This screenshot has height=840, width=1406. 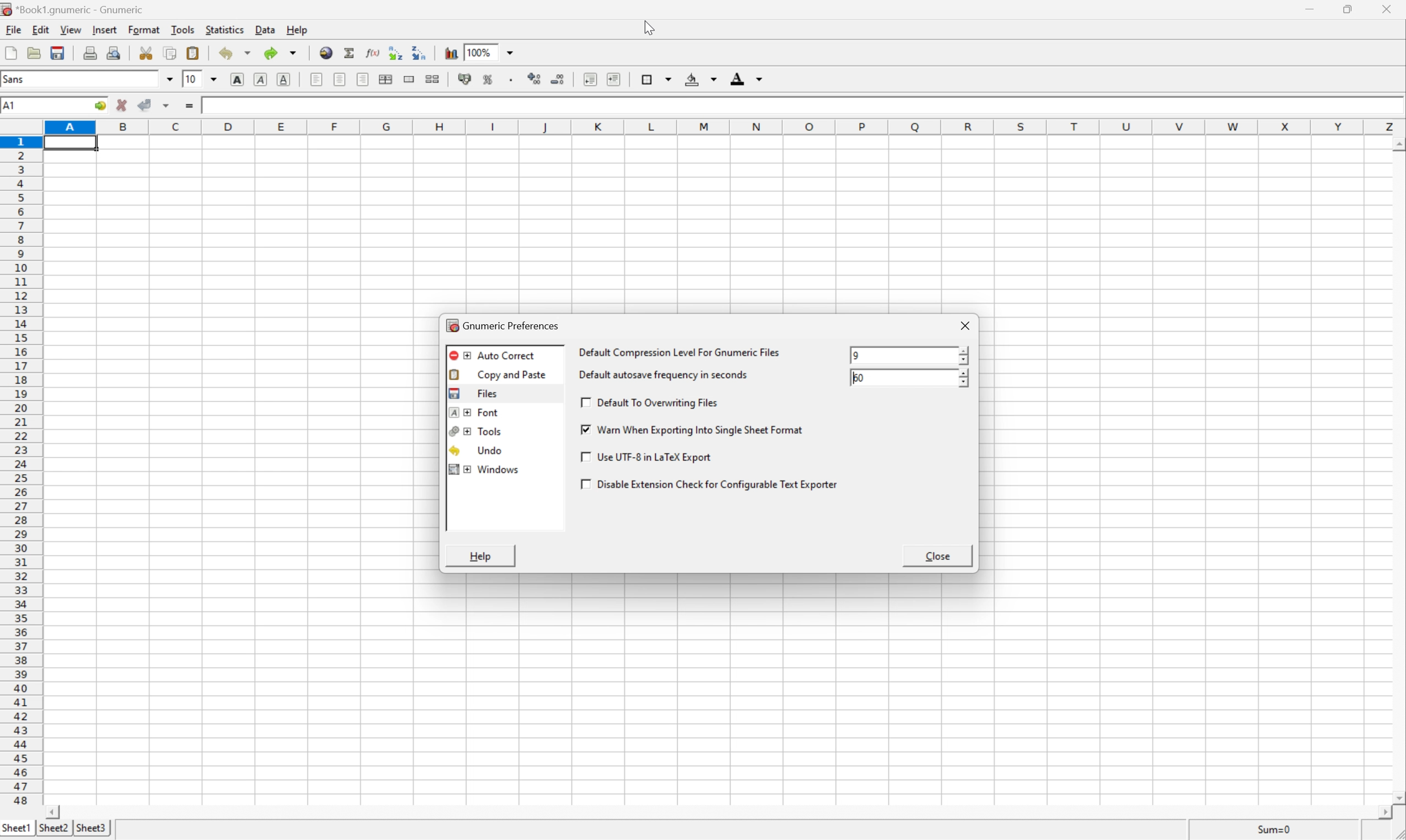 I want to click on split merged ranges of cells, so click(x=433, y=80).